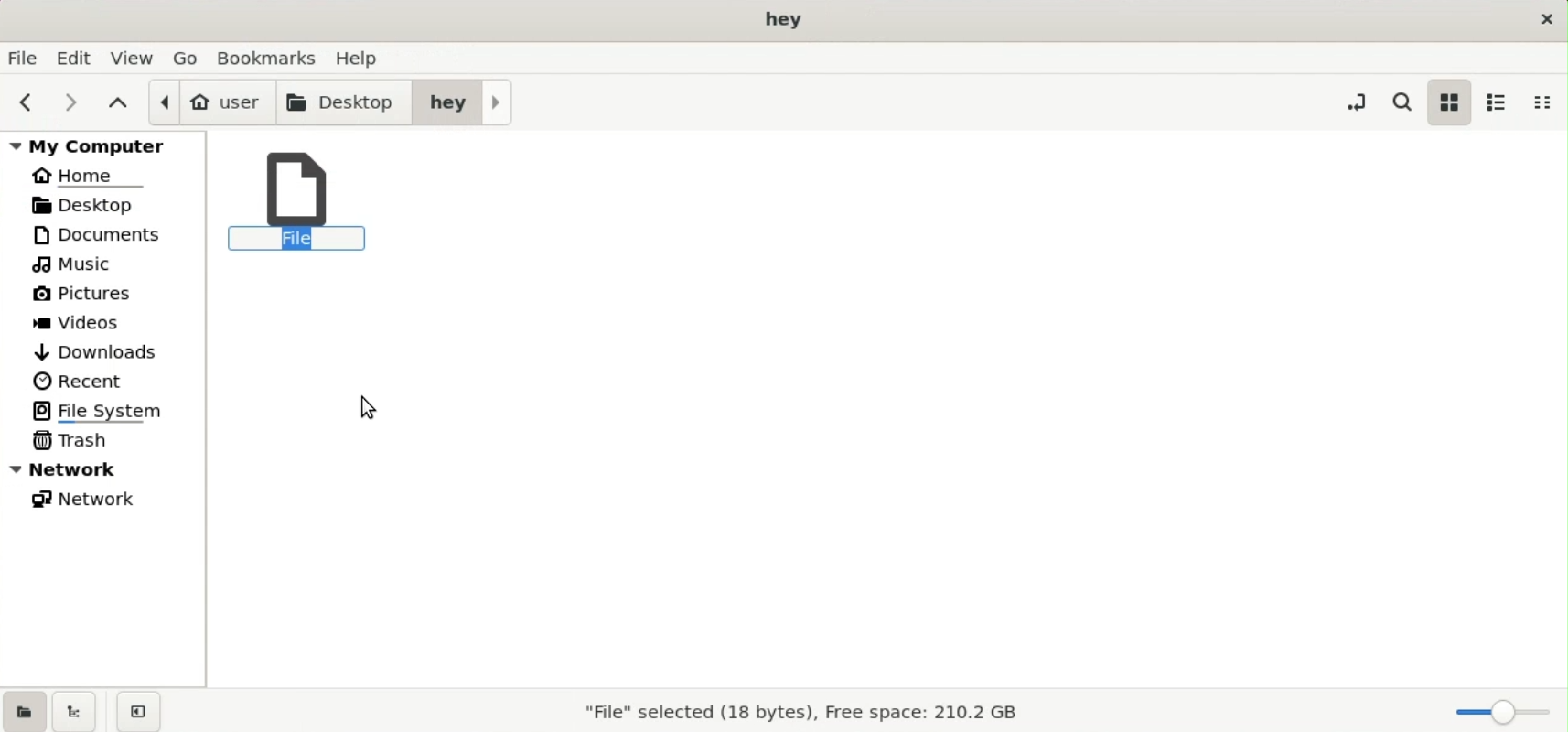  I want to click on recent, so click(80, 381).